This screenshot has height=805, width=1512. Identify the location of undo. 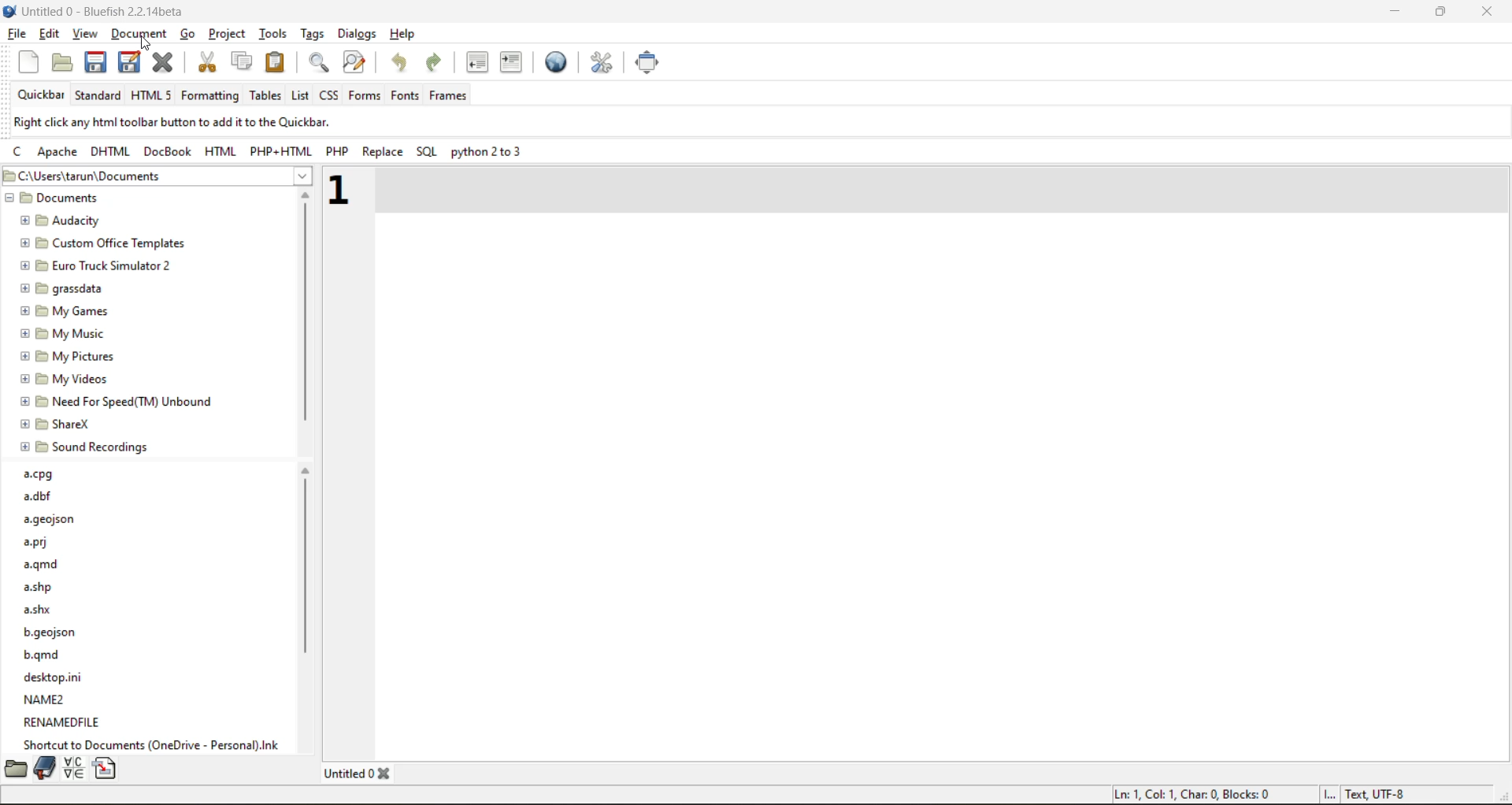
(400, 61).